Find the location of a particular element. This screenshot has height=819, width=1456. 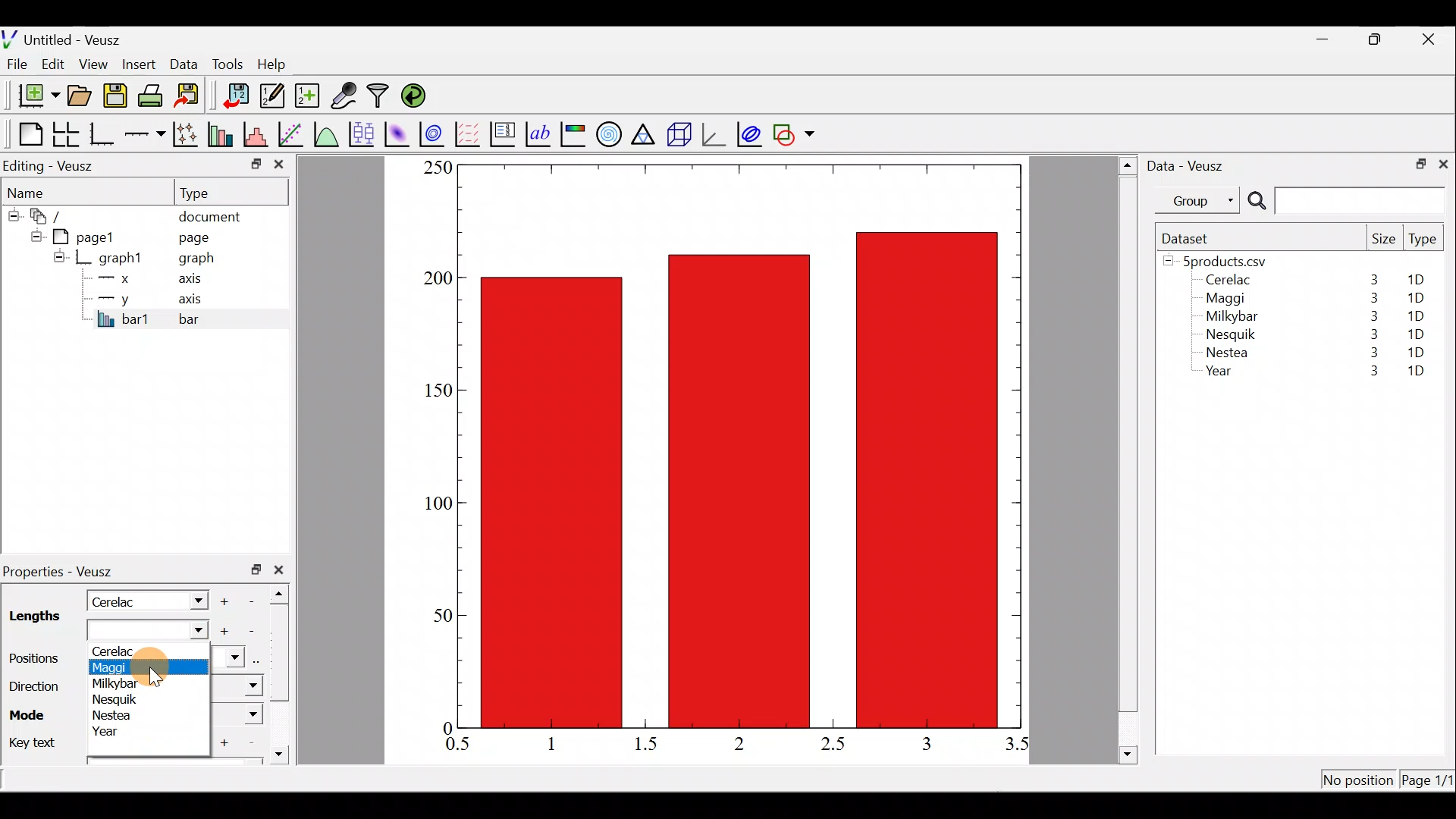

Editing - Veusz is located at coordinates (52, 165).